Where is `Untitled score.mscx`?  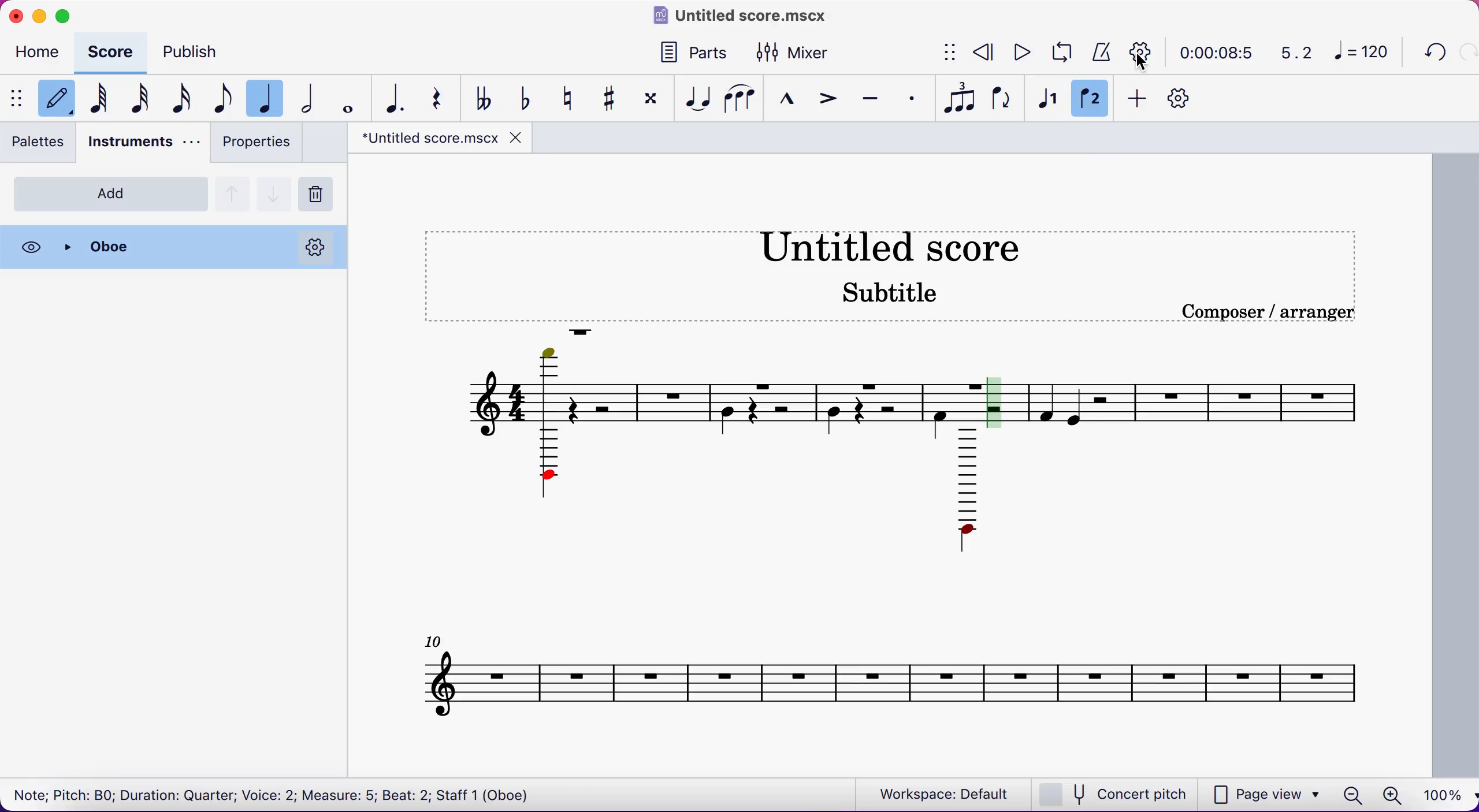
Untitled score.mscx is located at coordinates (743, 14).